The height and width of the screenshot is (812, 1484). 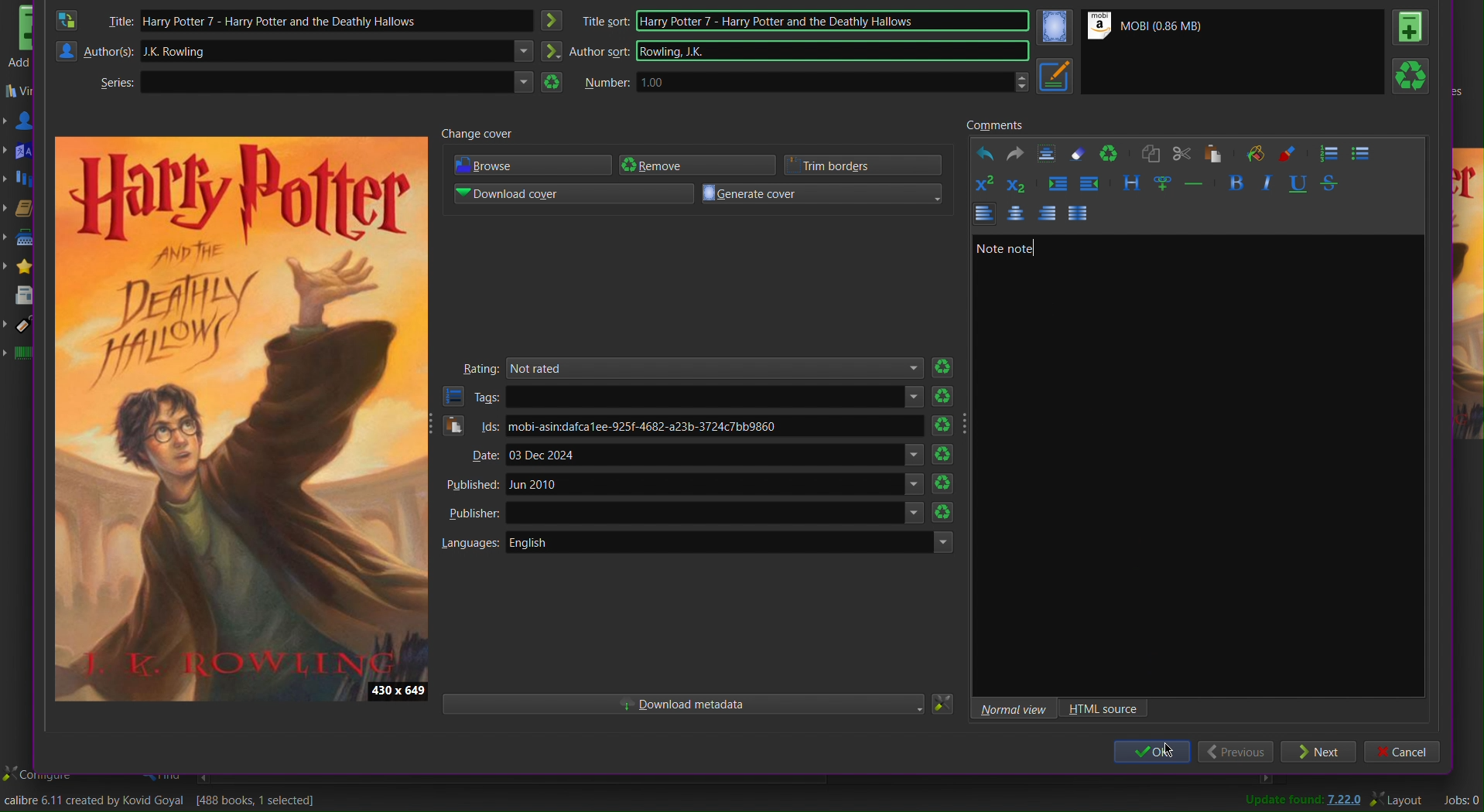 What do you see at coordinates (1216, 155) in the screenshot?
I see `Paste` at bounding box center [1216, 155].